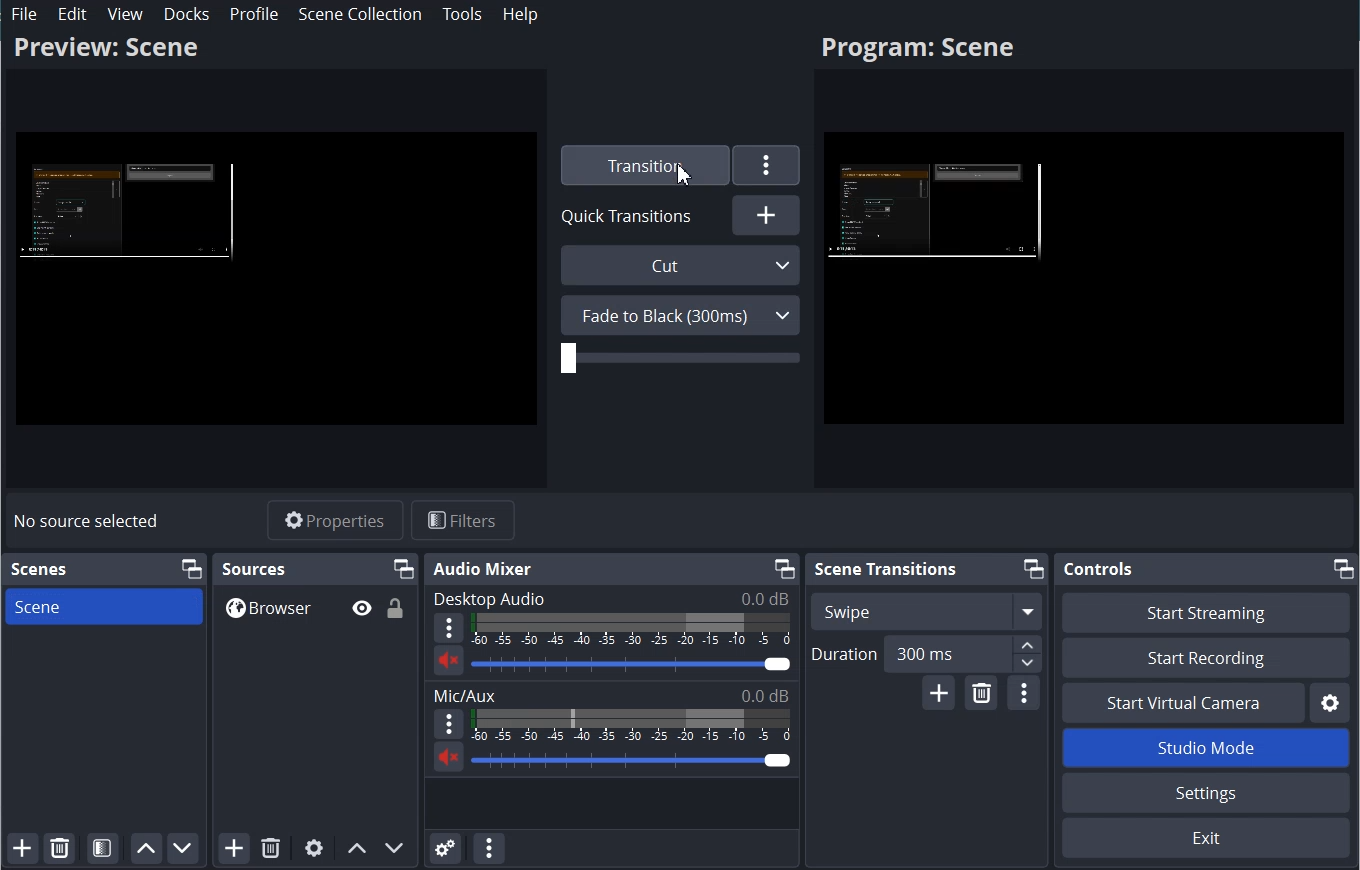 This screenshot has width=1360, height=870. What do you see at coordinates (315, 607) in the screenshot?
I see `Browse` at bounding box center [315, 607].